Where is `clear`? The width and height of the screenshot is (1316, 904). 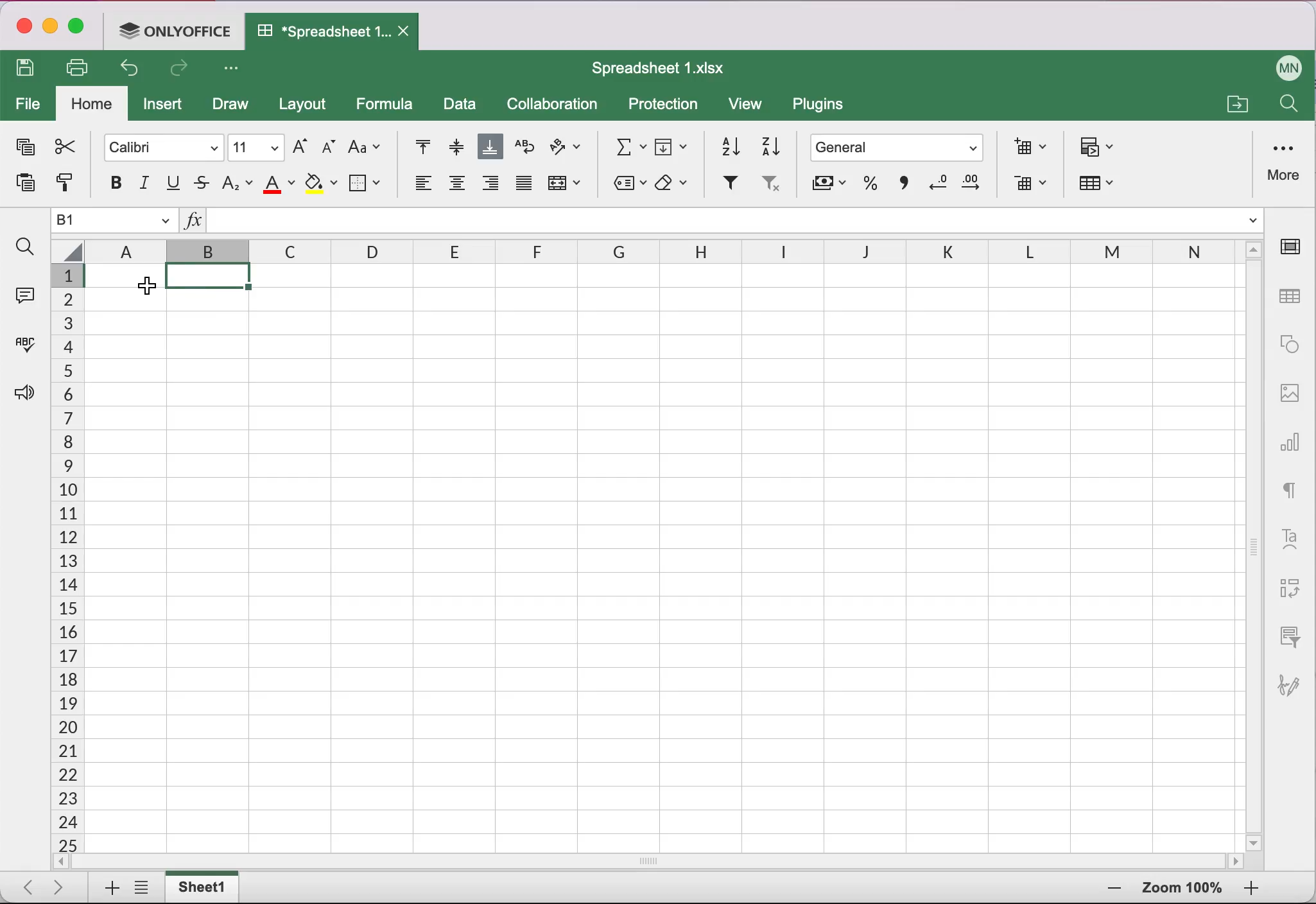
clear is located at coordinates (675, 184).